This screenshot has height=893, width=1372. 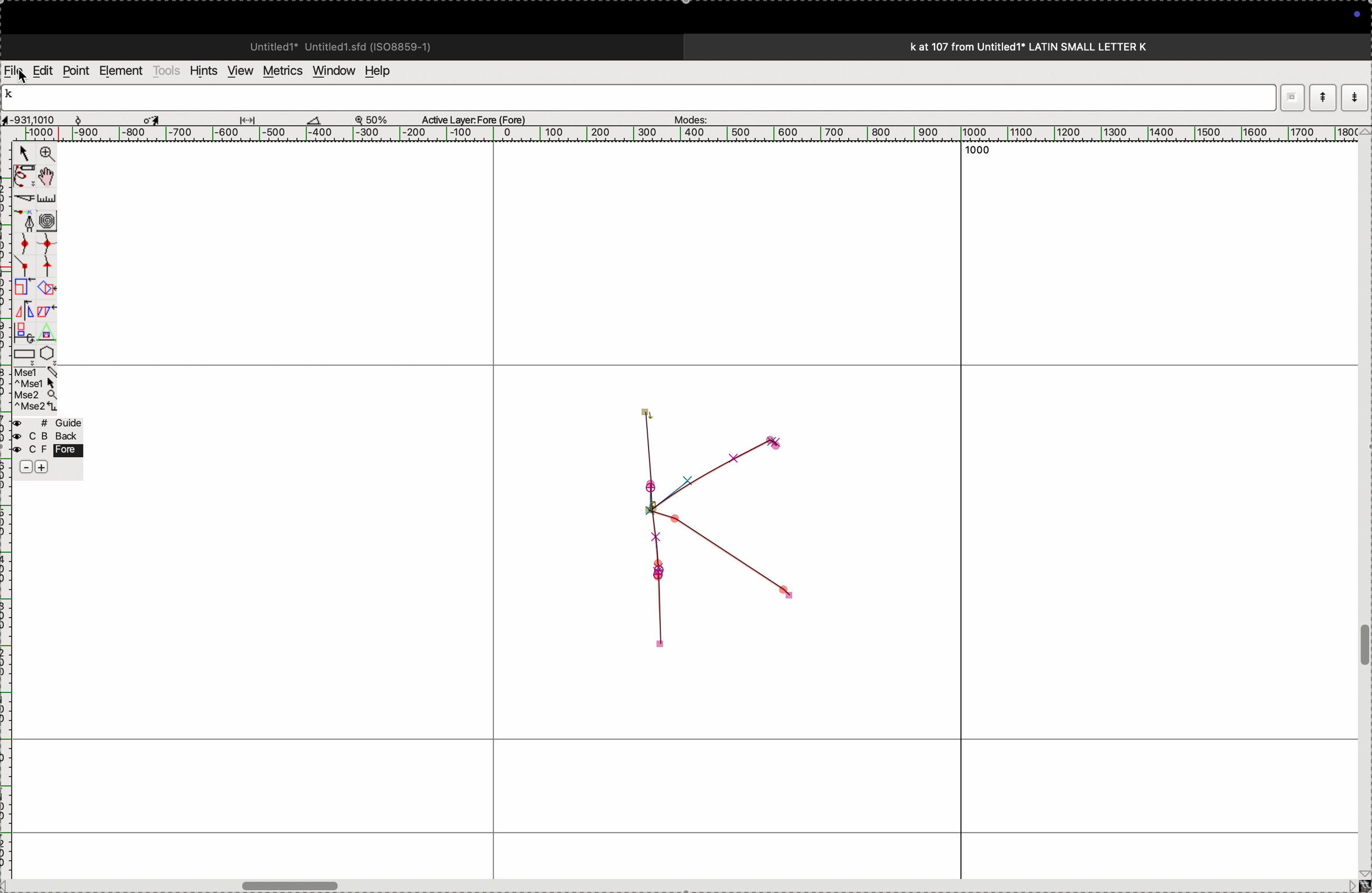 I want to click on fountain pen, so click(x=28, y=221).